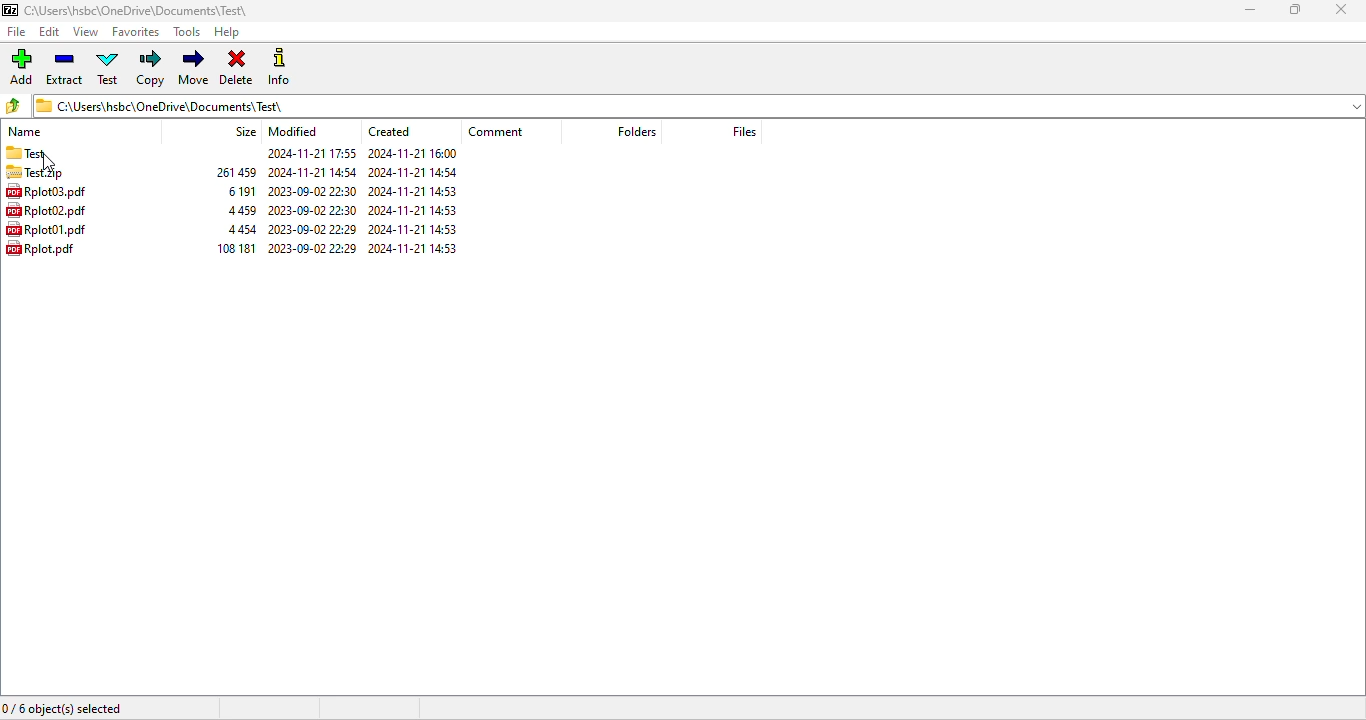 The width and height of the screenshot is (1366, 720). I want to click on size, so click(245, 131).